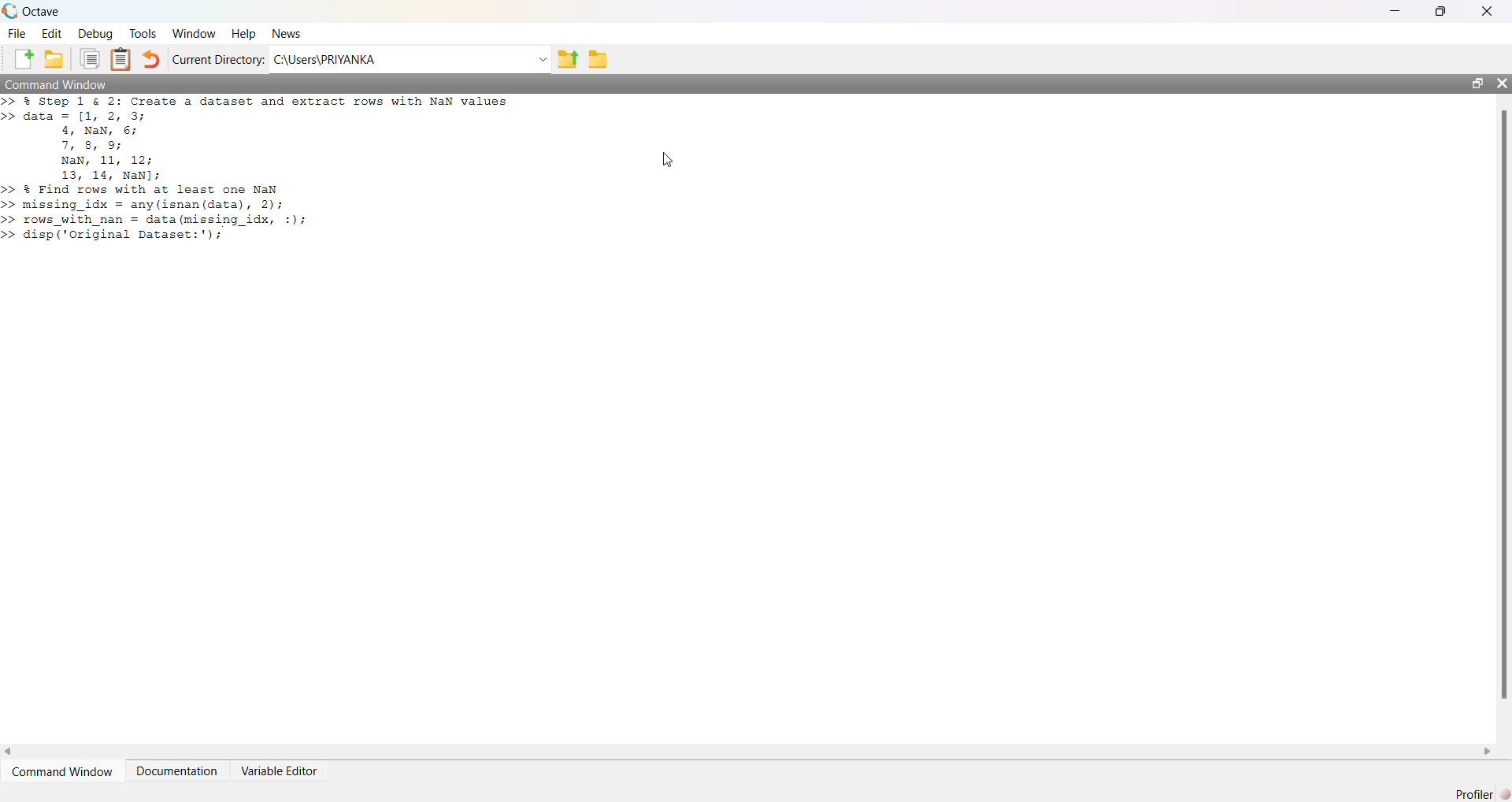  Describe the element at coordinates (1395, 11) in the screenshot. I see `minimize` at that location.